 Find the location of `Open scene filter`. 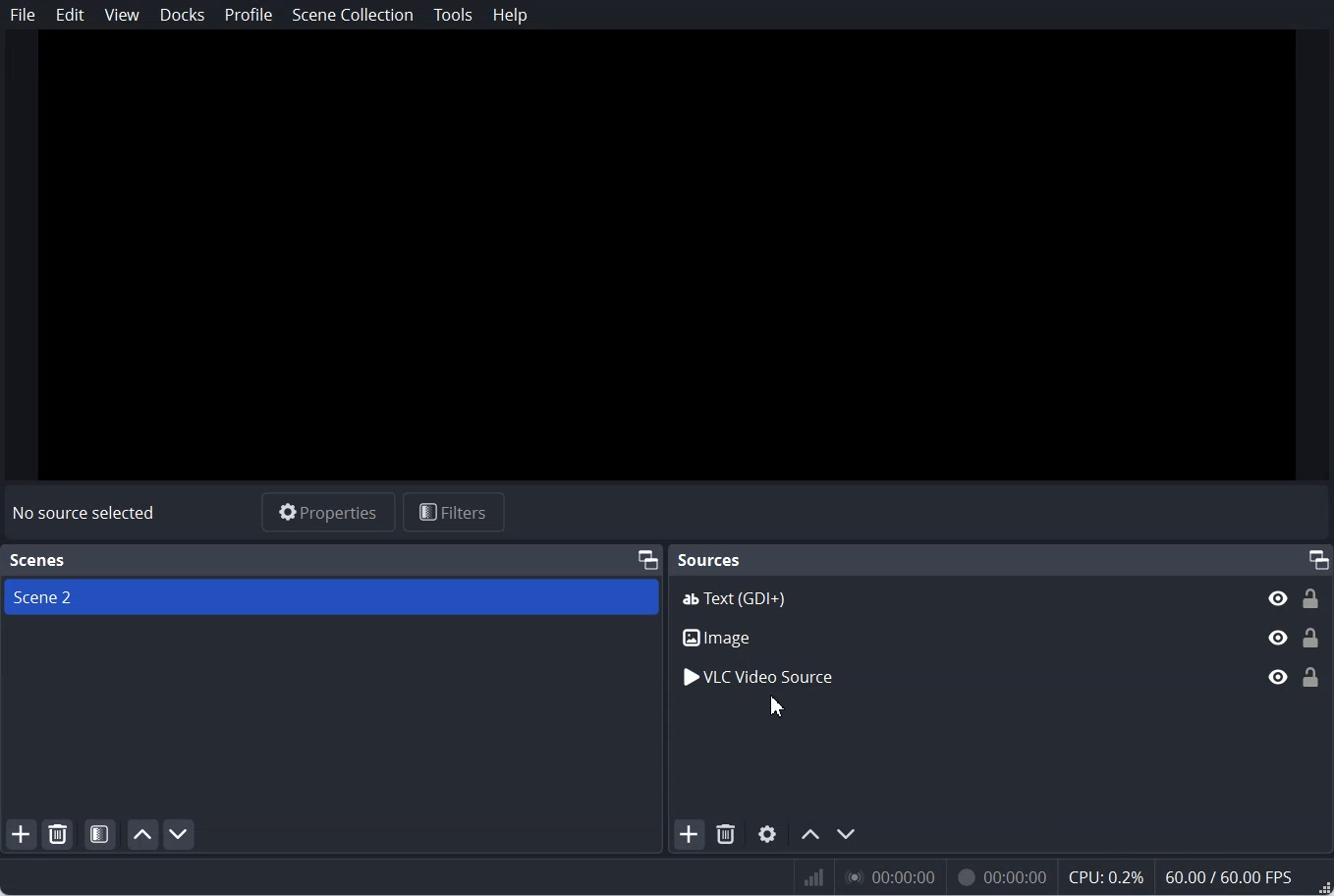

Open scene filter is located at coordinates (100, 834).